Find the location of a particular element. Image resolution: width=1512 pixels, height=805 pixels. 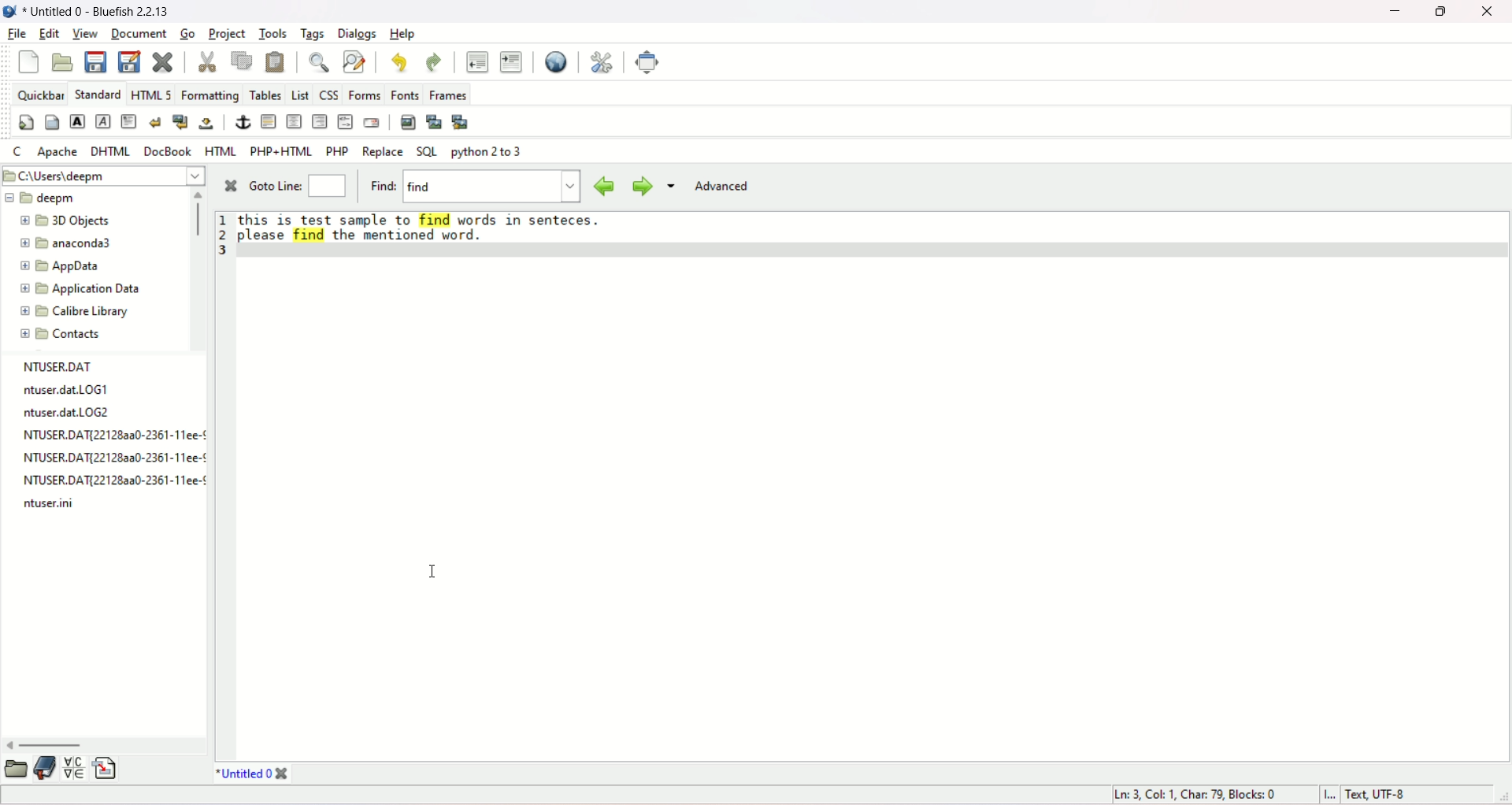

undo is located at coordinates (399, 61).